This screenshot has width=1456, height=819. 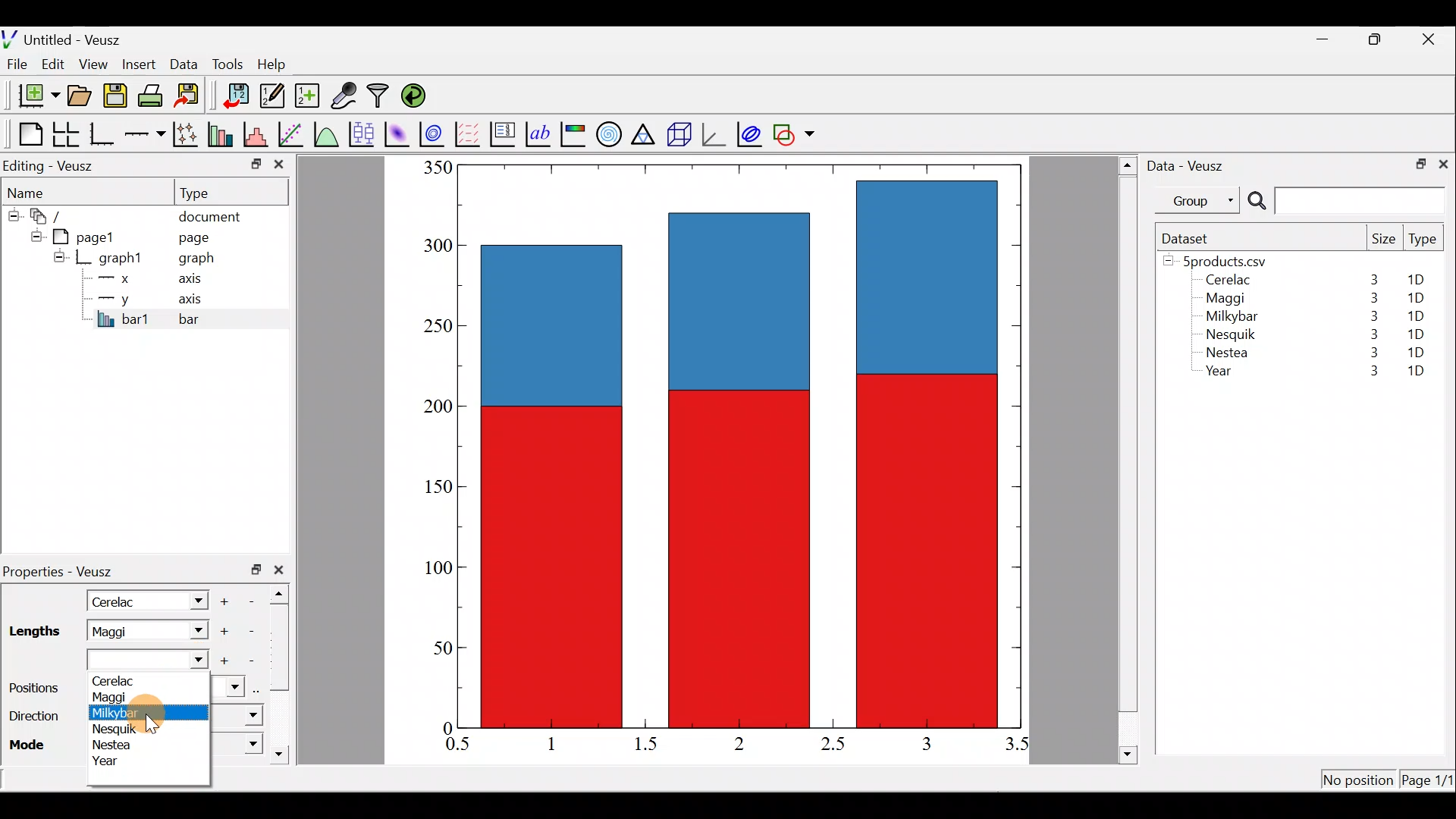 I want to click on restore down, so click(x=256, y=570).